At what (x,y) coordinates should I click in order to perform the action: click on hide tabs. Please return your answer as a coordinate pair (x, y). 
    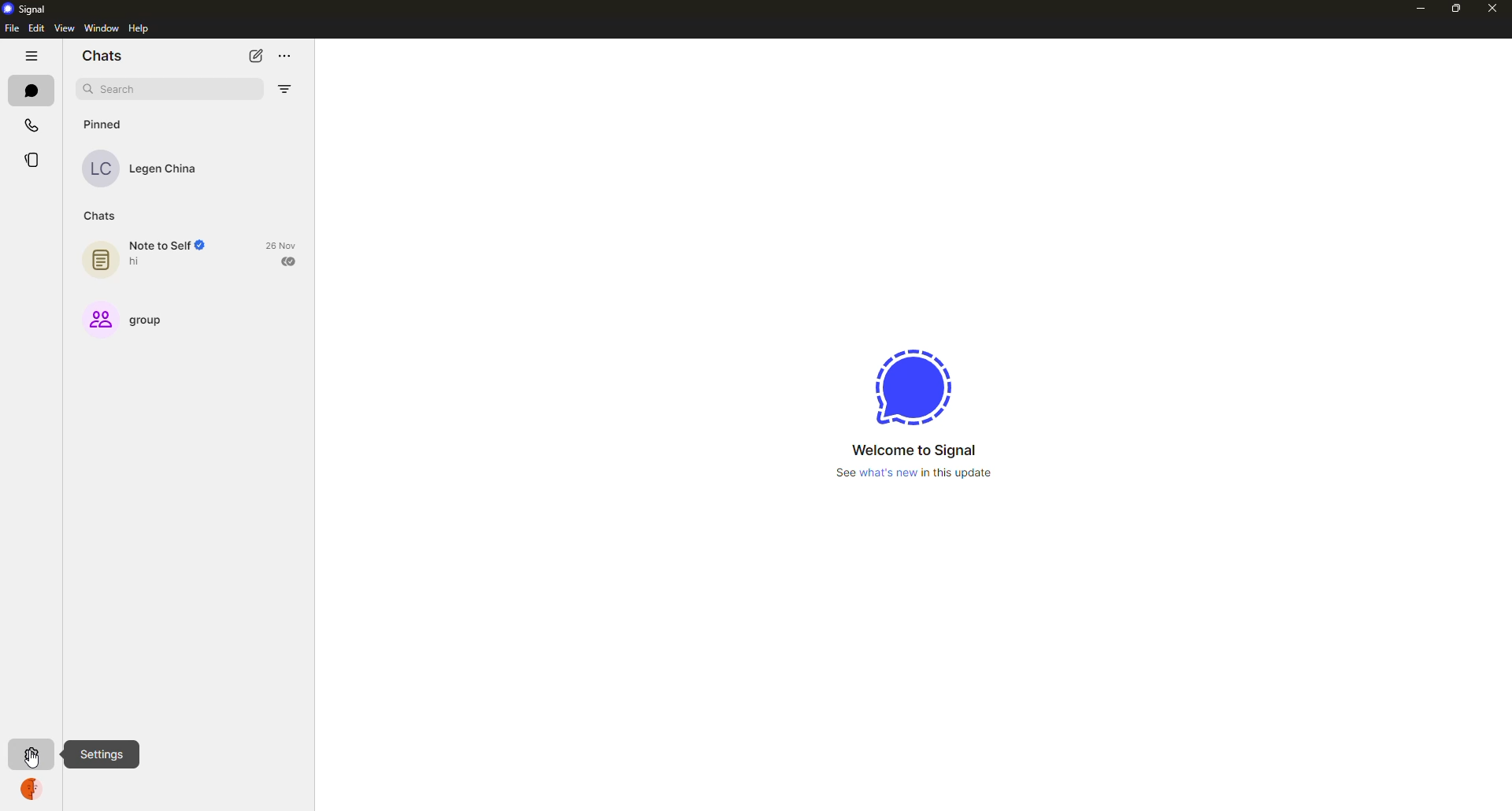
    Looking at the image, I should click on (33, 56).